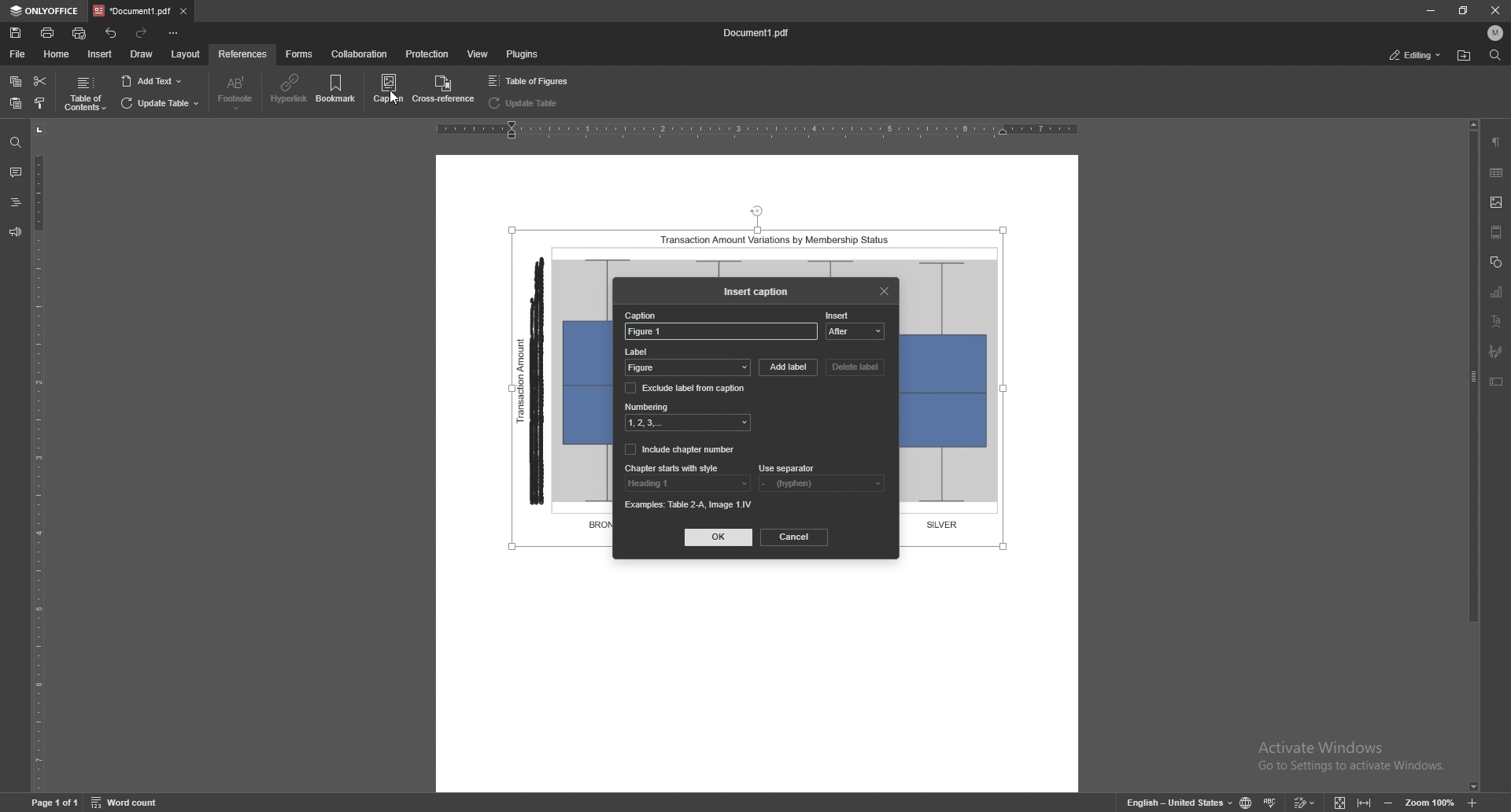 Image resolution: width=1511 pixels, height=812 pixels. I want to click on locate file, so click(1465, 57).